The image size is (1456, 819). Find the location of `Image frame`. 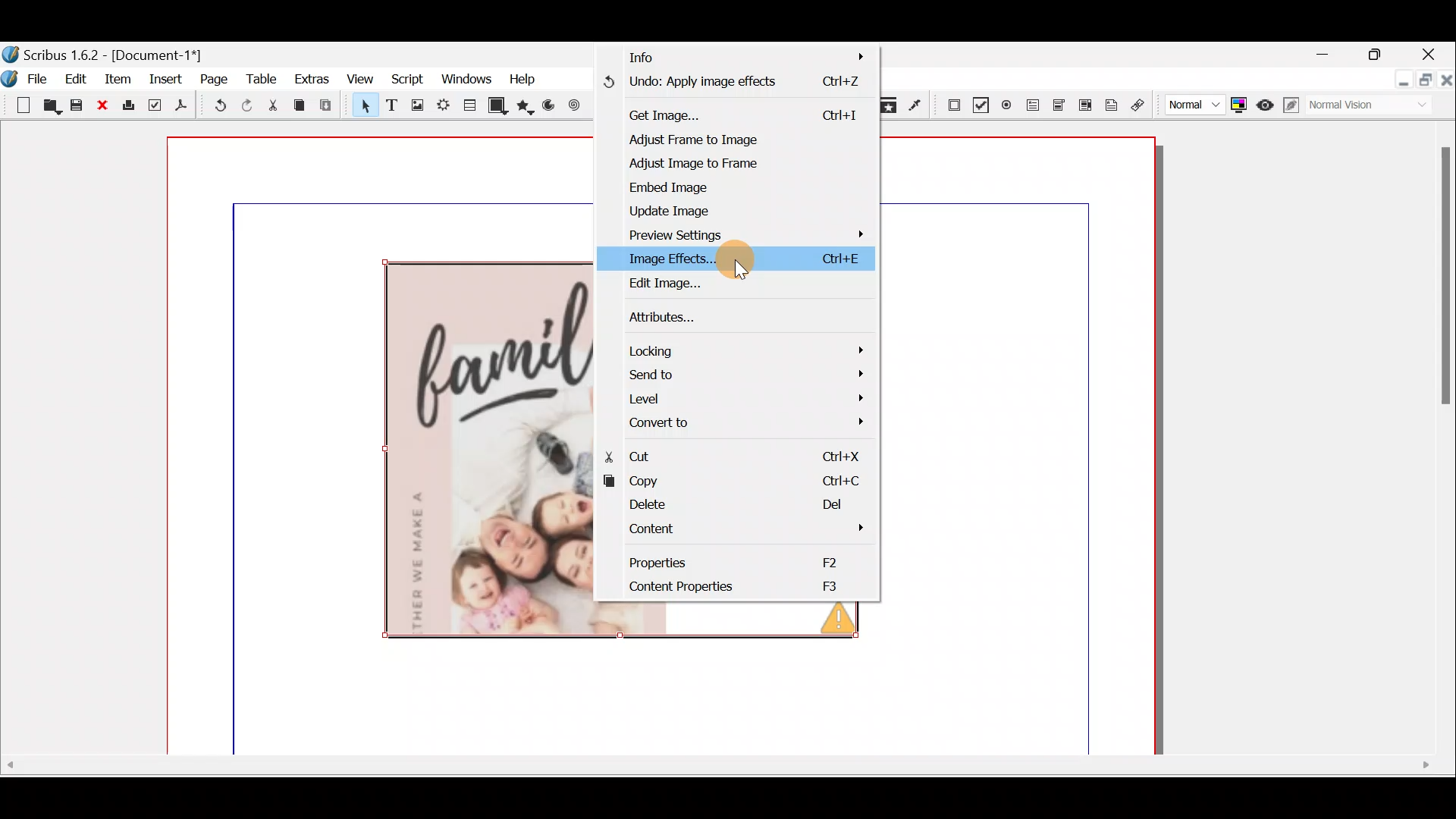

Image frame is located at coordinates (413, 105).